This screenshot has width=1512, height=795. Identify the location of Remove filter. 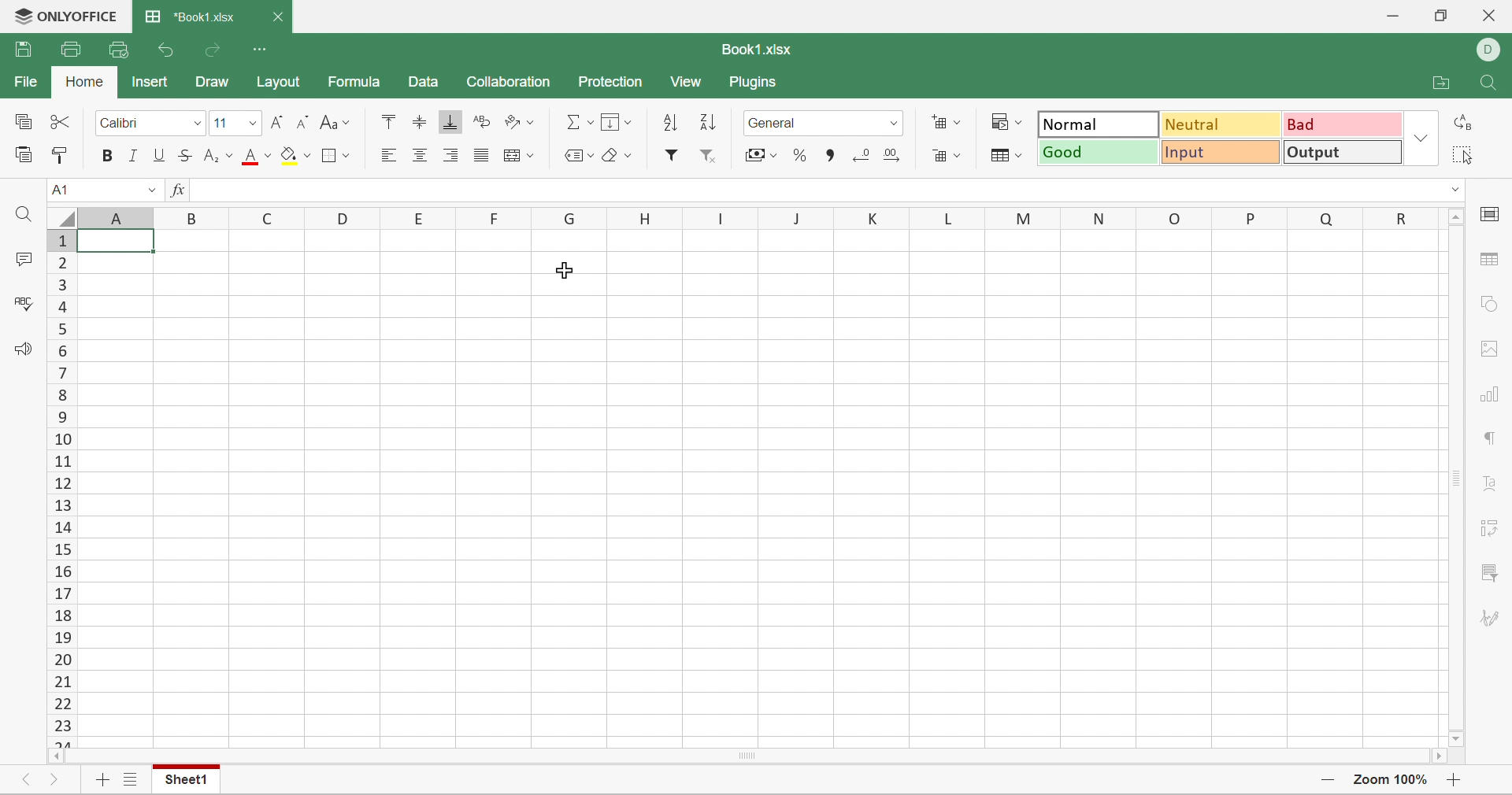
(707, 158).